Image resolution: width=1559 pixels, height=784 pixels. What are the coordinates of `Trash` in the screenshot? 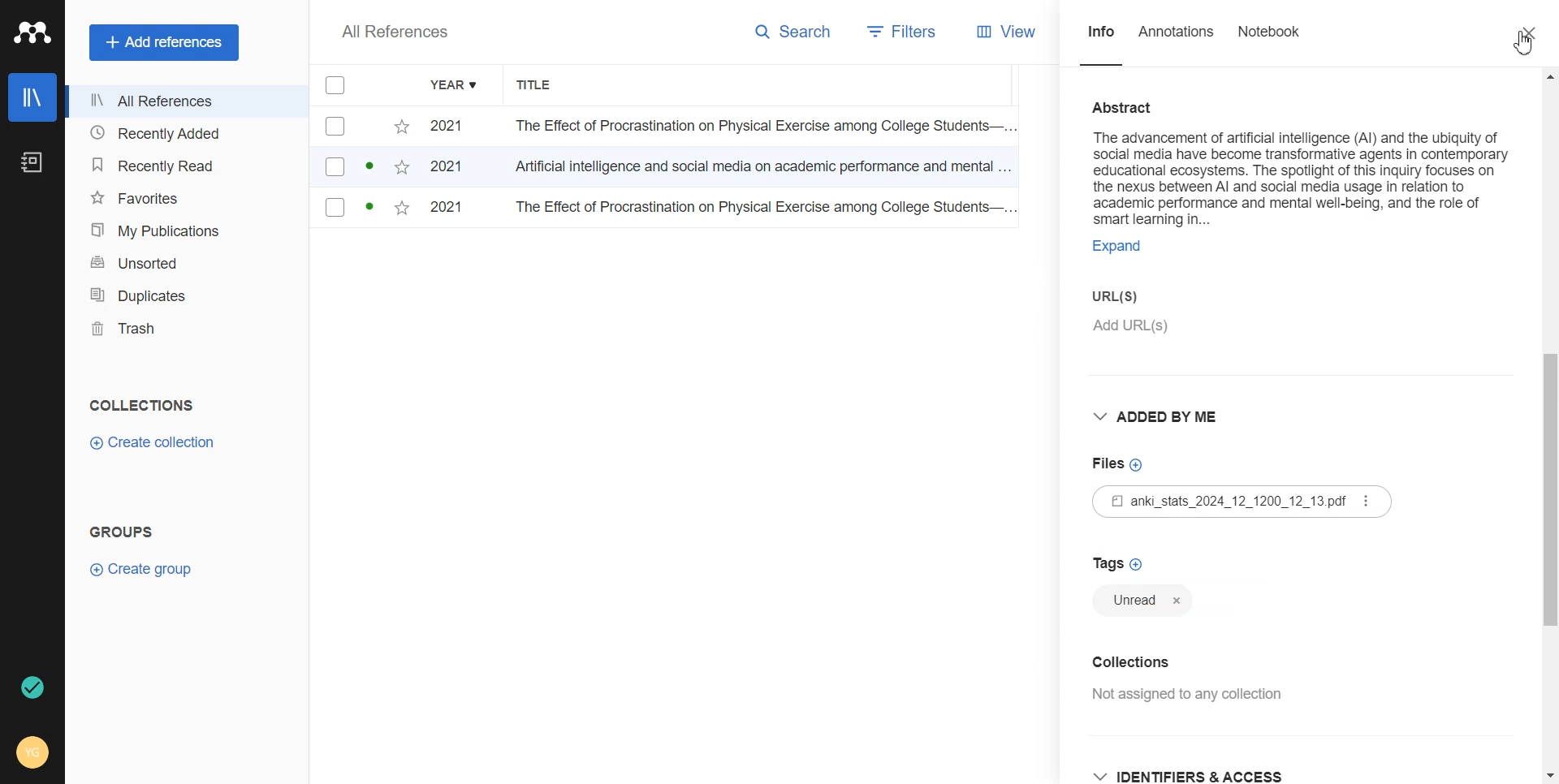 It's located at (186, 329).